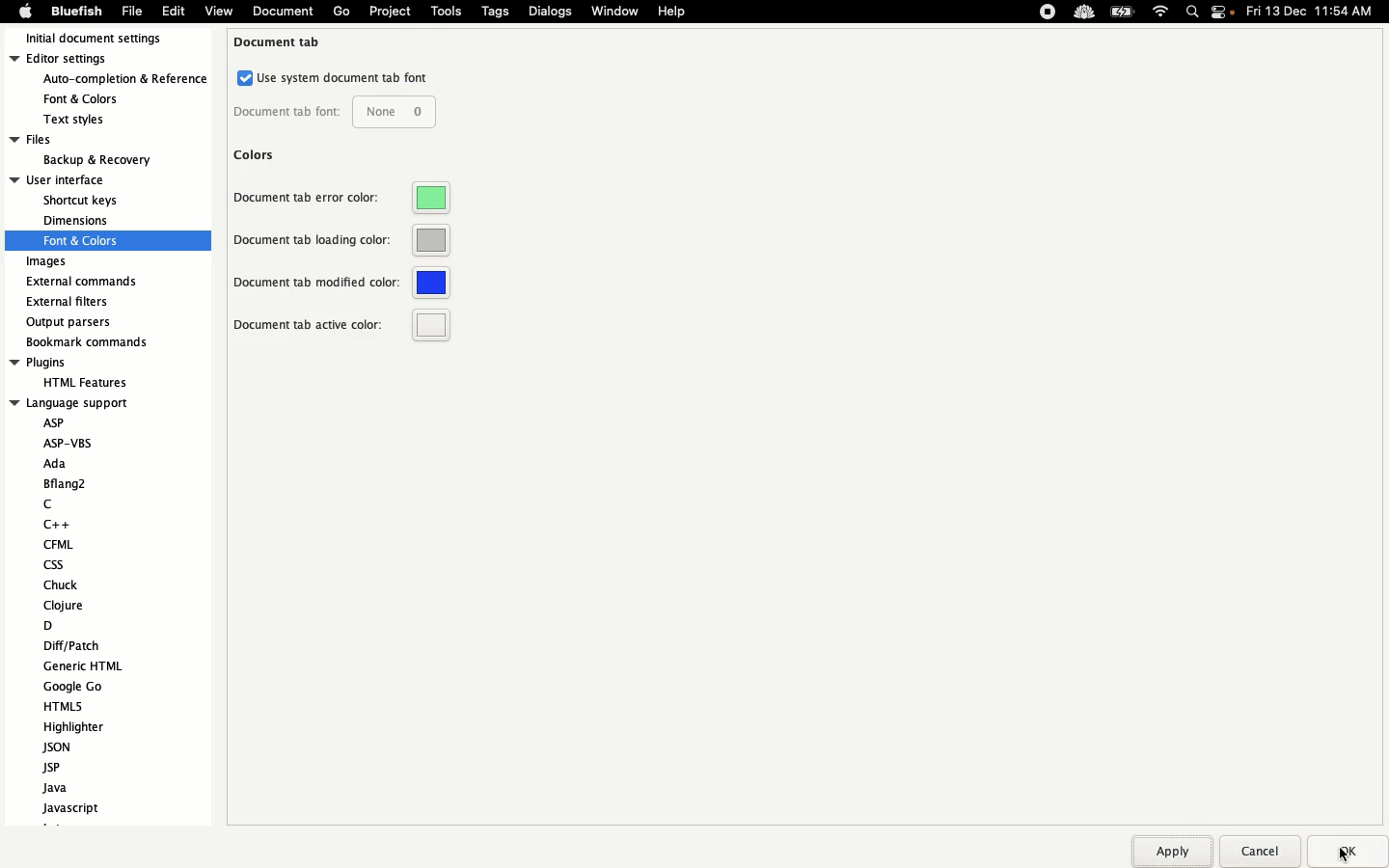  I want to click on dimension, so click(75, 220).